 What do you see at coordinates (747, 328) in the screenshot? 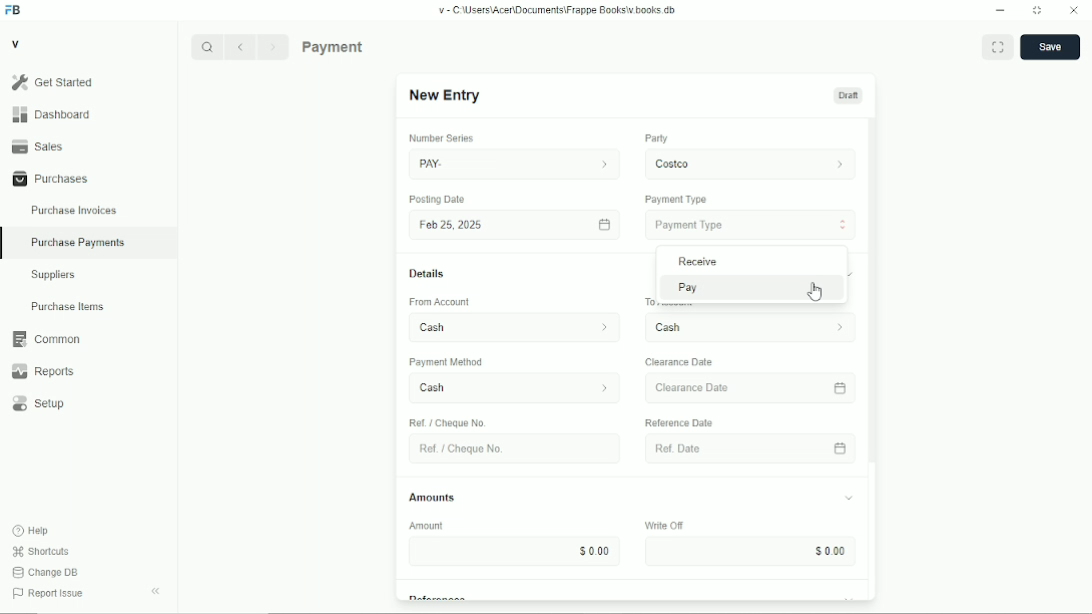
I see `To Account` at bounding box center [747, 328].